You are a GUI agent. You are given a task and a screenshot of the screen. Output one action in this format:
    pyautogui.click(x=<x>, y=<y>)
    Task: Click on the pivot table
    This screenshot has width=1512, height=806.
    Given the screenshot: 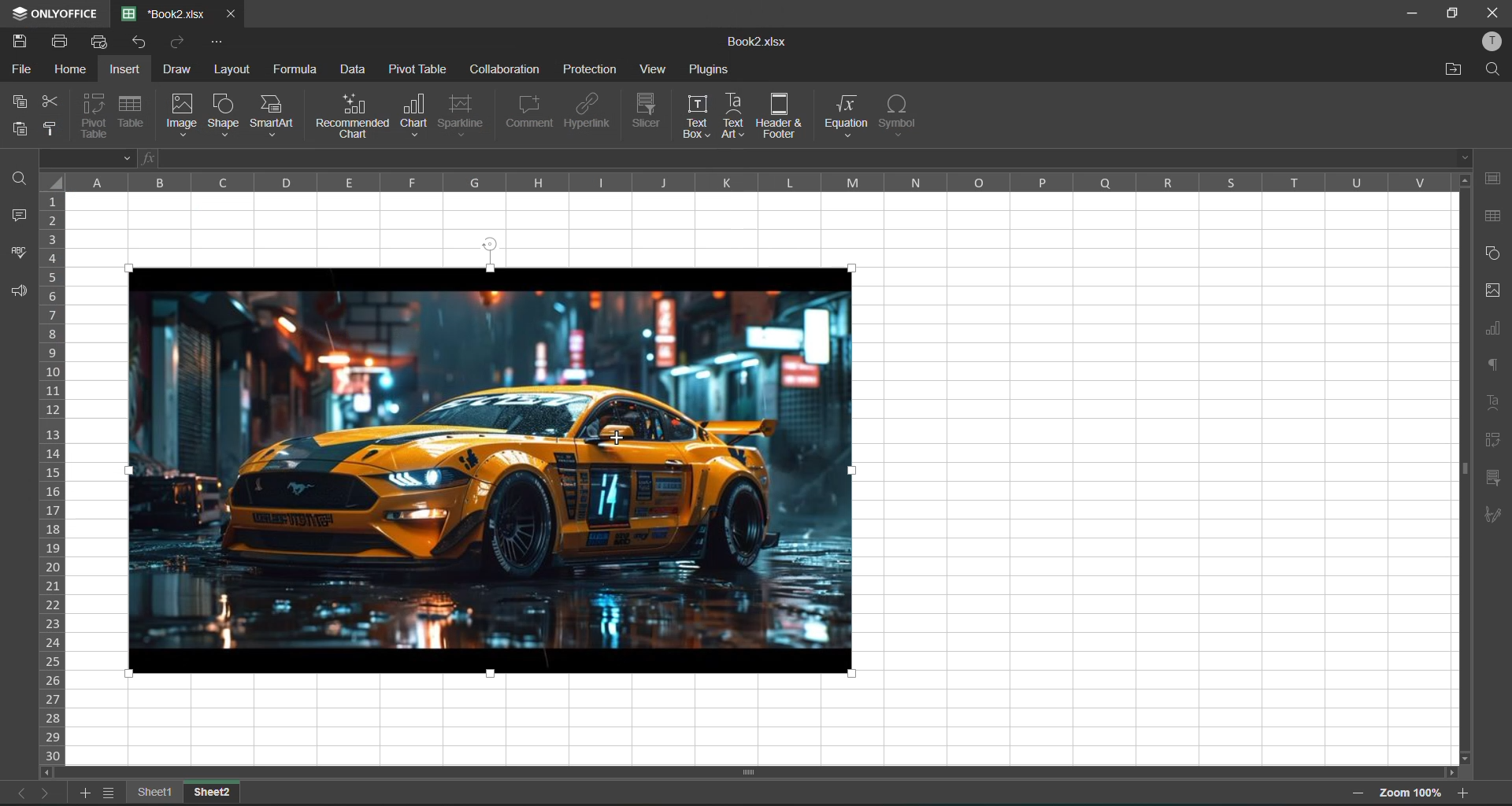 What is the action you would take?
    pyautogui.click(x=96, y=117)
    